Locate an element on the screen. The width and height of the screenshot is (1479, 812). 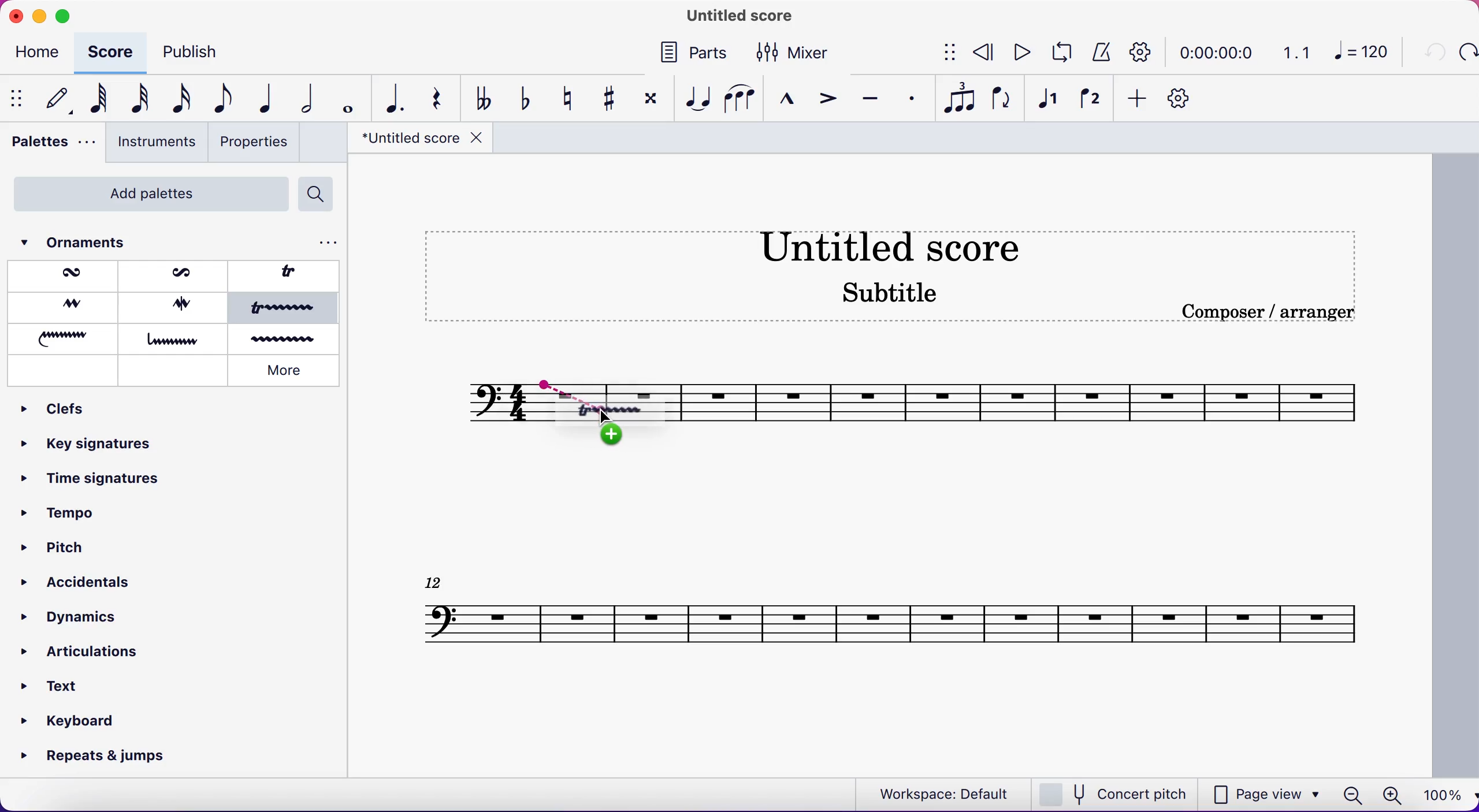
add palettes is located at coordinates (144, 193).